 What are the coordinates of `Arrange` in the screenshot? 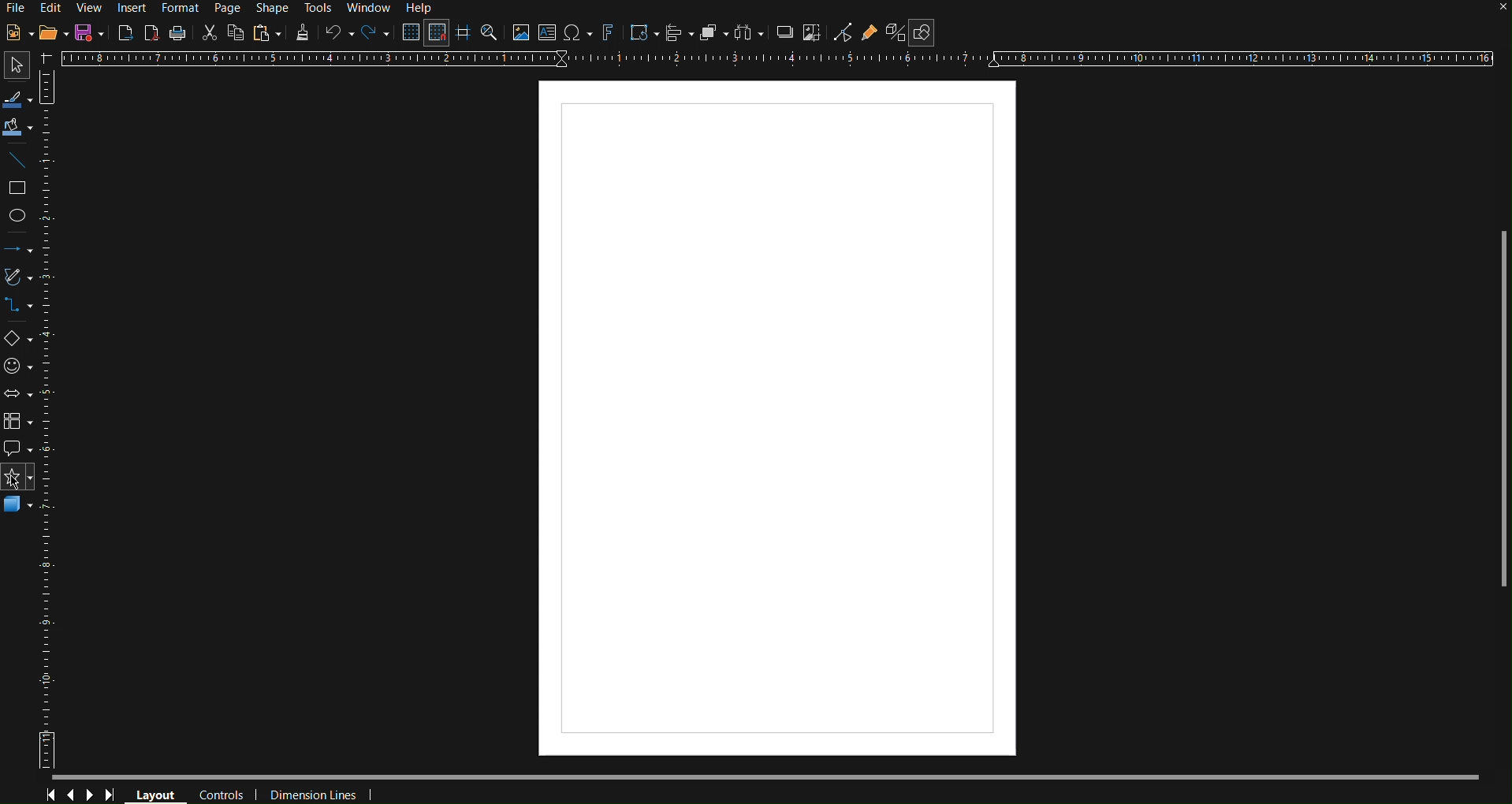 It's located at (712, 35).